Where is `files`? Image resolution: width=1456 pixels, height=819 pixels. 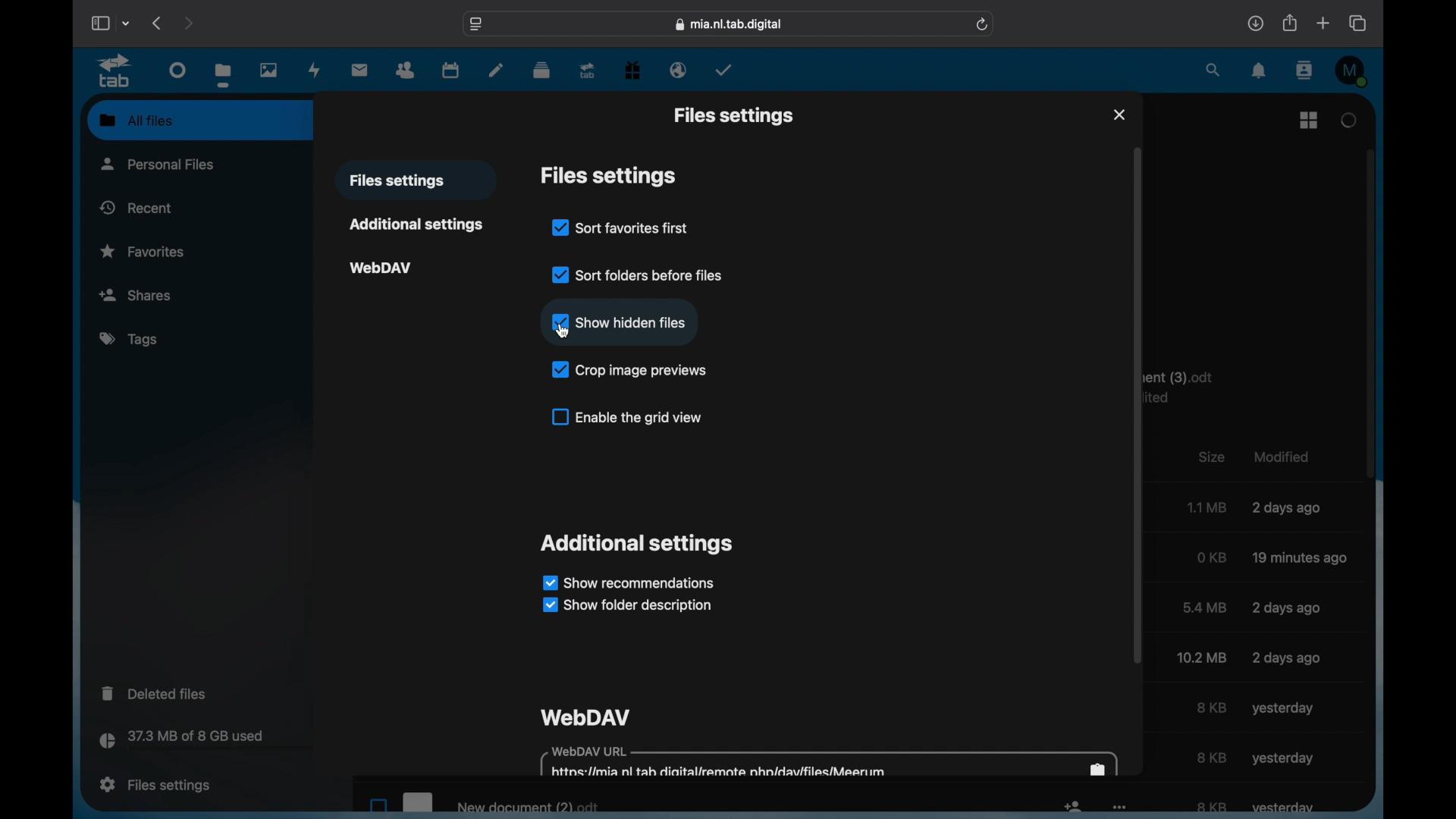 files is located at coordinates (224, 75).